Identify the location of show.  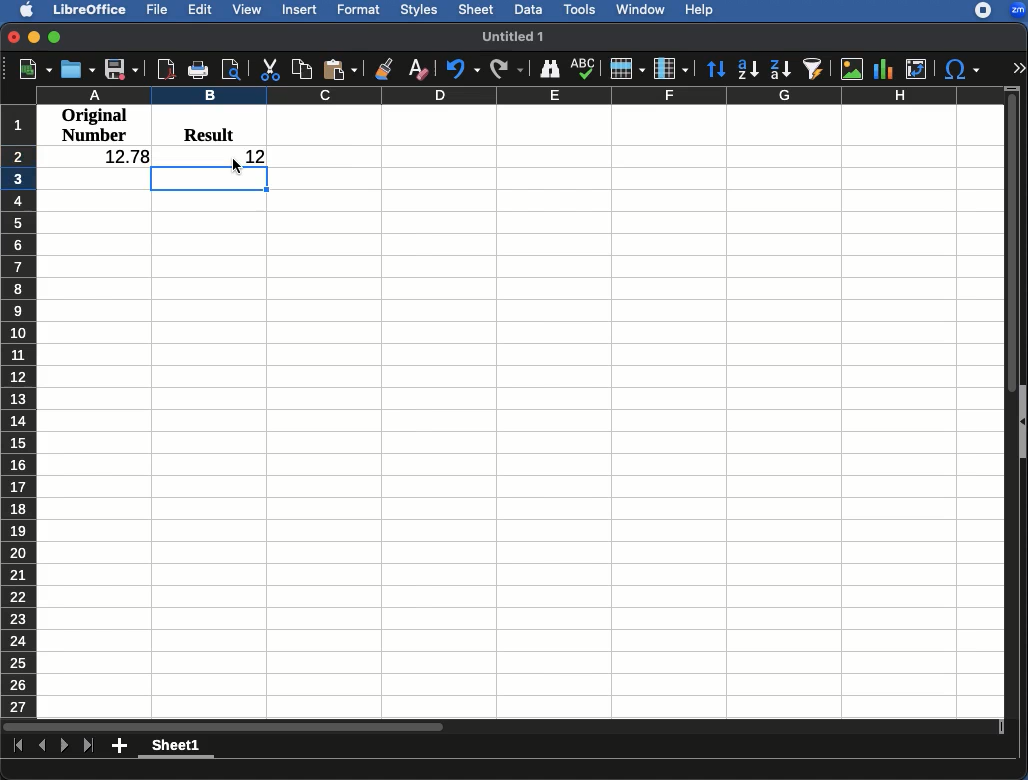
(1022, 422).